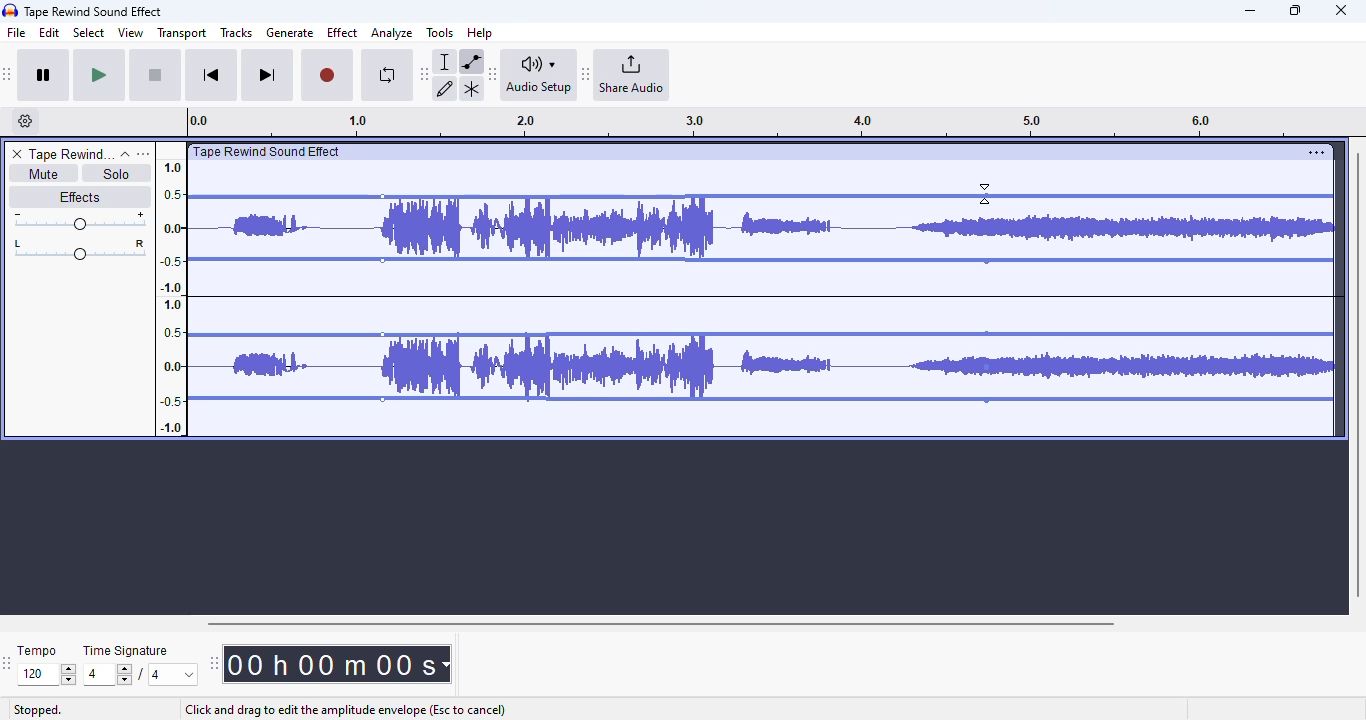  Describe the element at coordinates (586, 75) in the screenshot. I see `Move audacity share audio toolbar` at that location.